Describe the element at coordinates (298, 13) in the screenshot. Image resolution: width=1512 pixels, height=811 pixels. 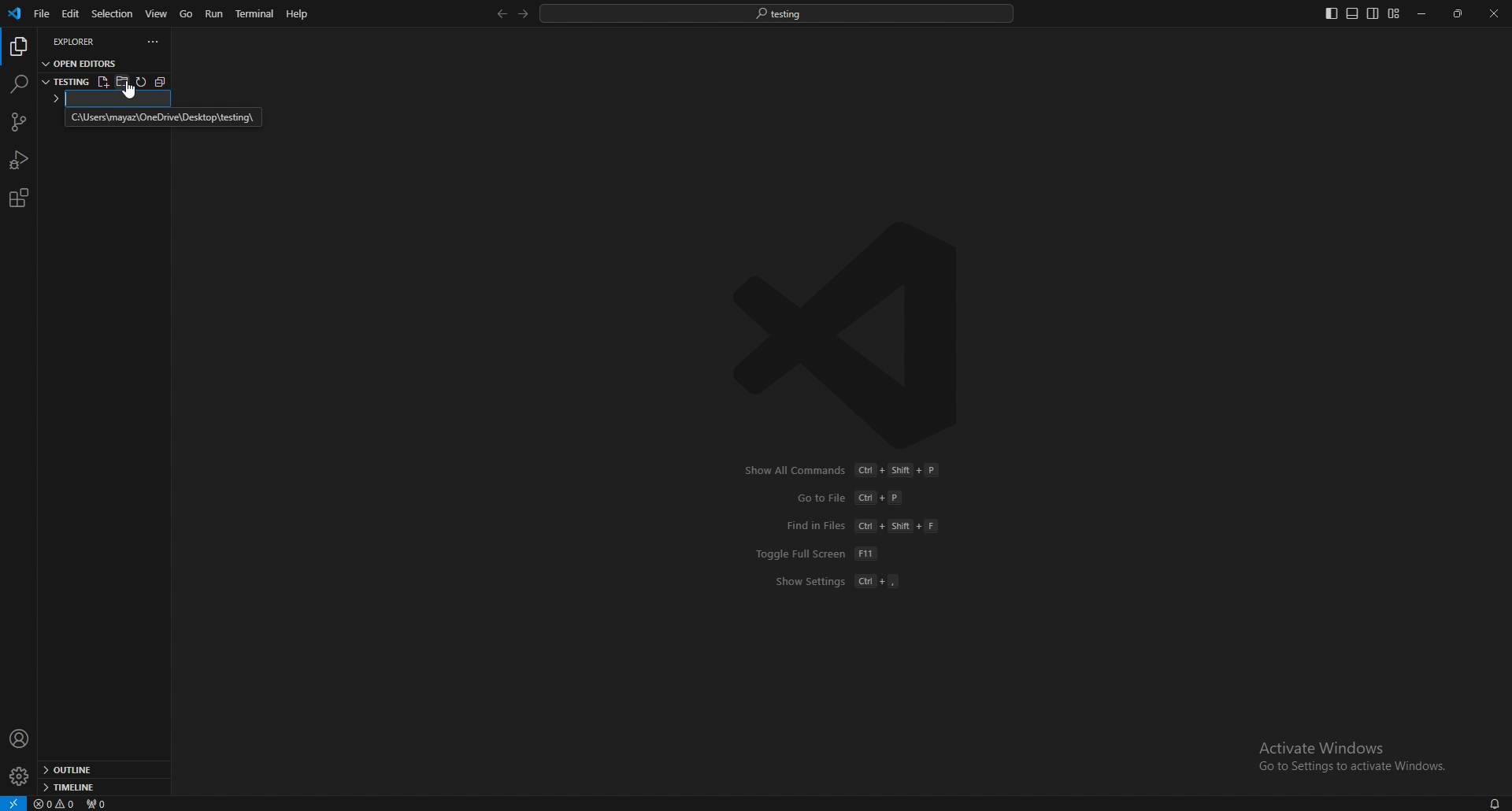
I see `help` at that location.